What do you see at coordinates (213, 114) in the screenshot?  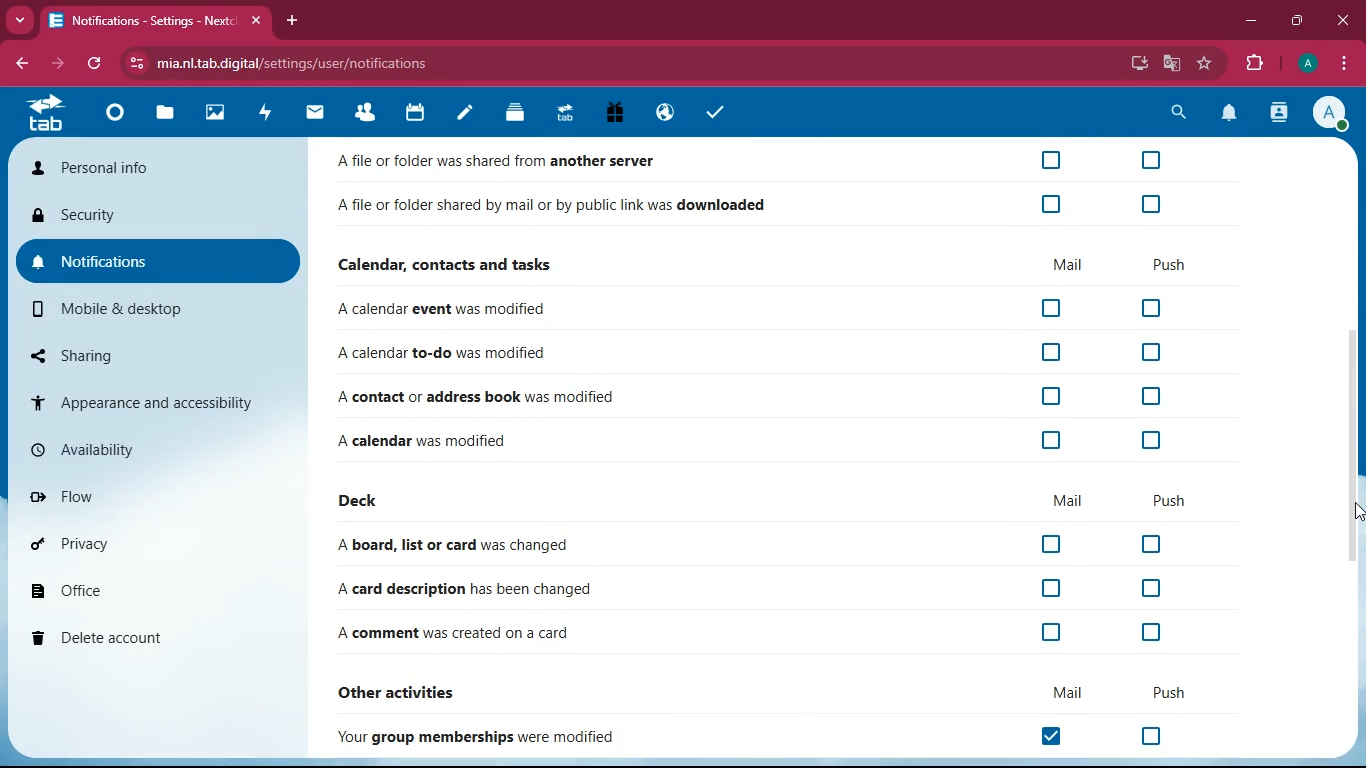 I see `images` at bounding box center [213, 114].